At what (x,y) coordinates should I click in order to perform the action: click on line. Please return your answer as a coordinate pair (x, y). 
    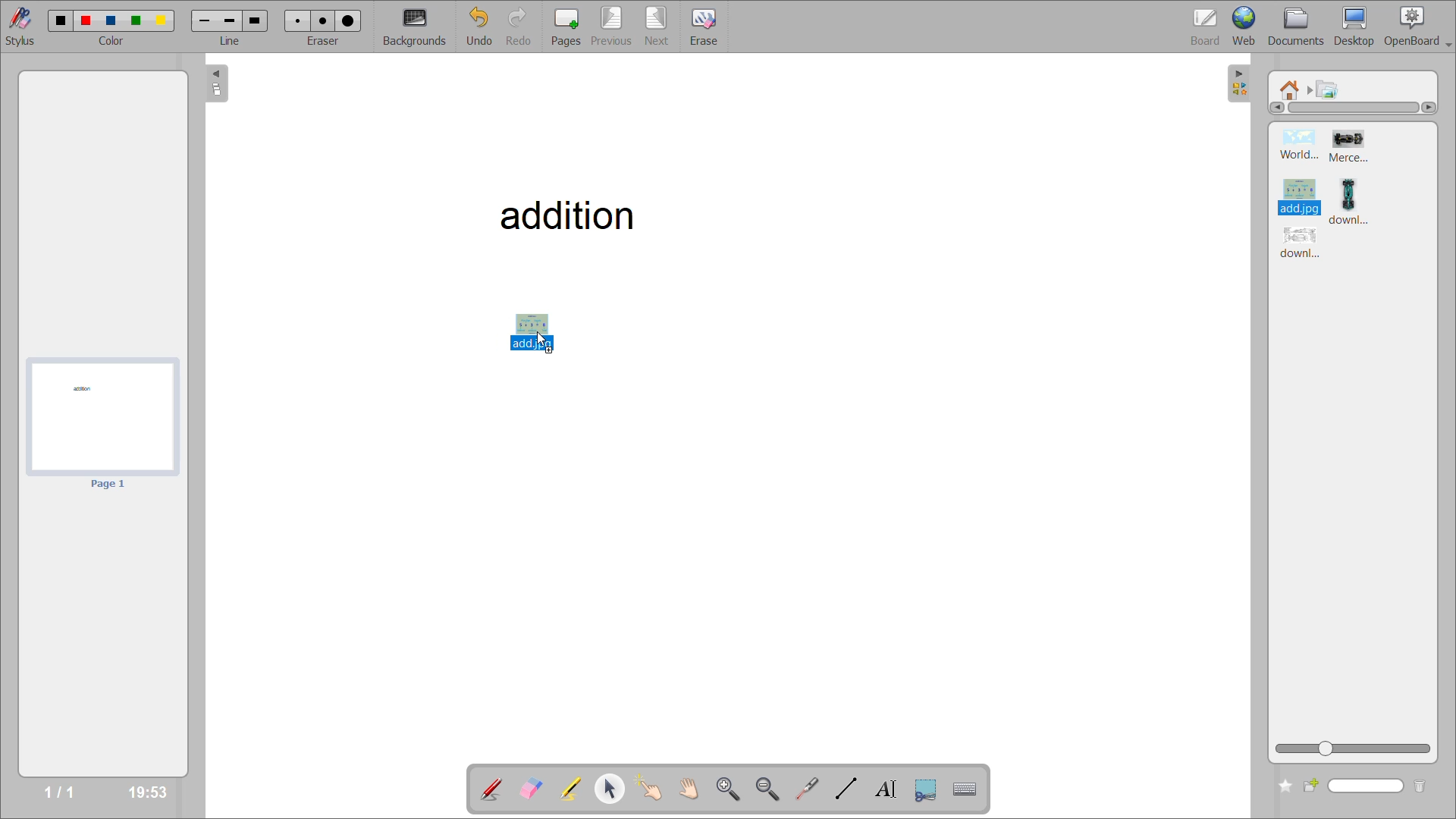
    Looking at the image, I should click on (231, 40).